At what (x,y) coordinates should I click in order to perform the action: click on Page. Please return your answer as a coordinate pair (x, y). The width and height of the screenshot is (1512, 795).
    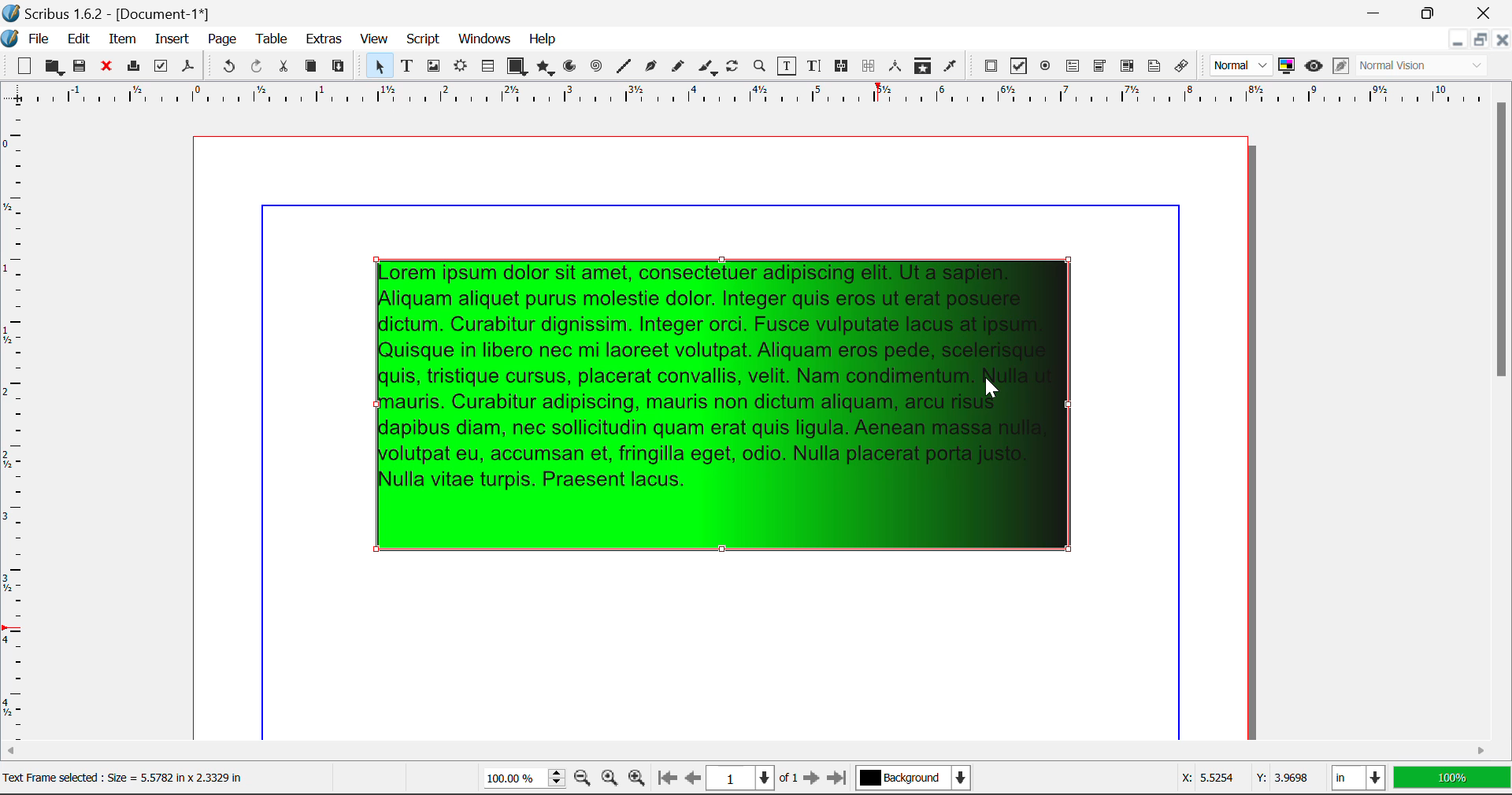
    Looking at the image, I should click on (221, 40).